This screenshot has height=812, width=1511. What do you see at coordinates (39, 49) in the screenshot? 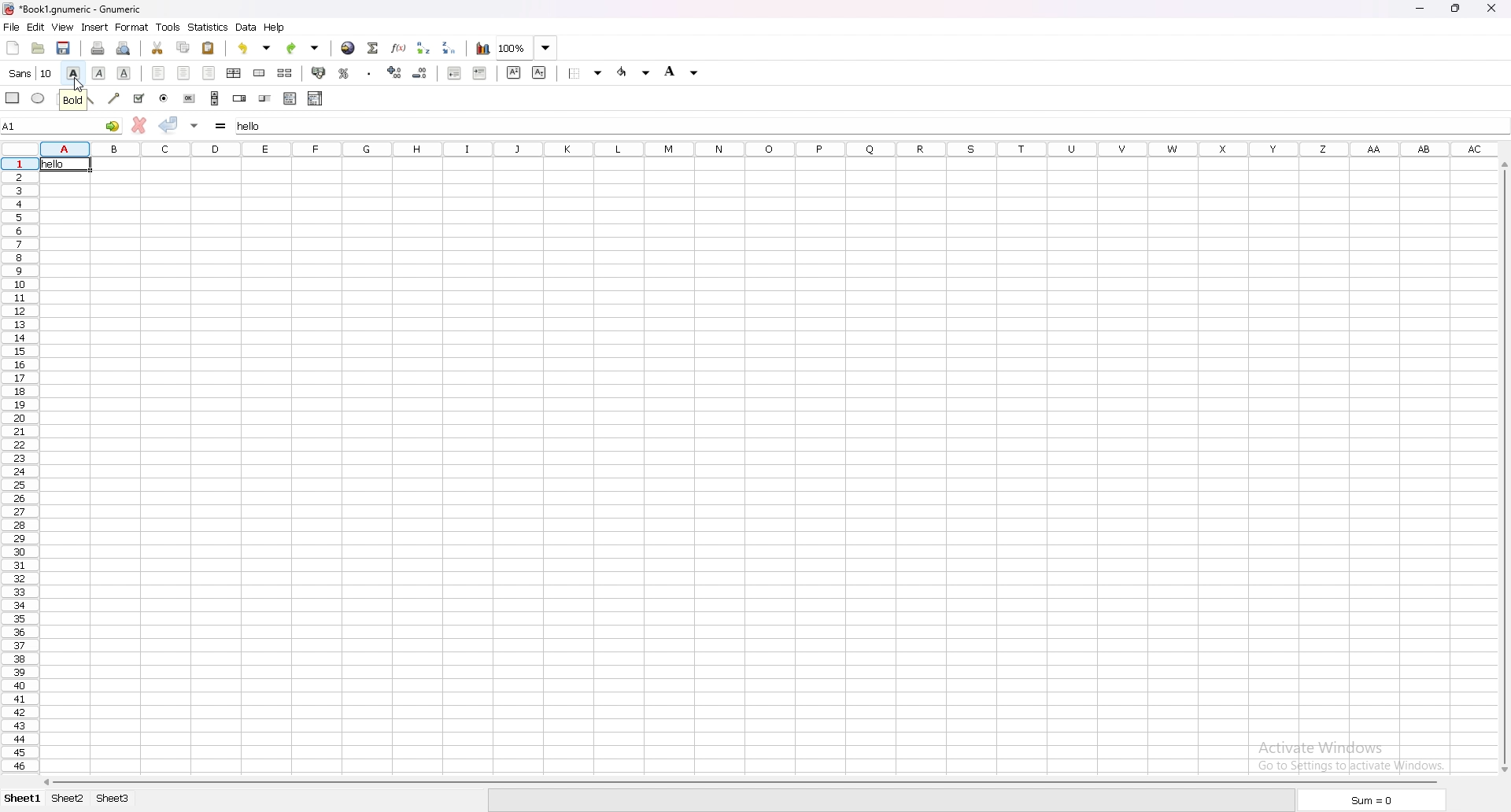
I see `open` at bounding box center [39, 49].